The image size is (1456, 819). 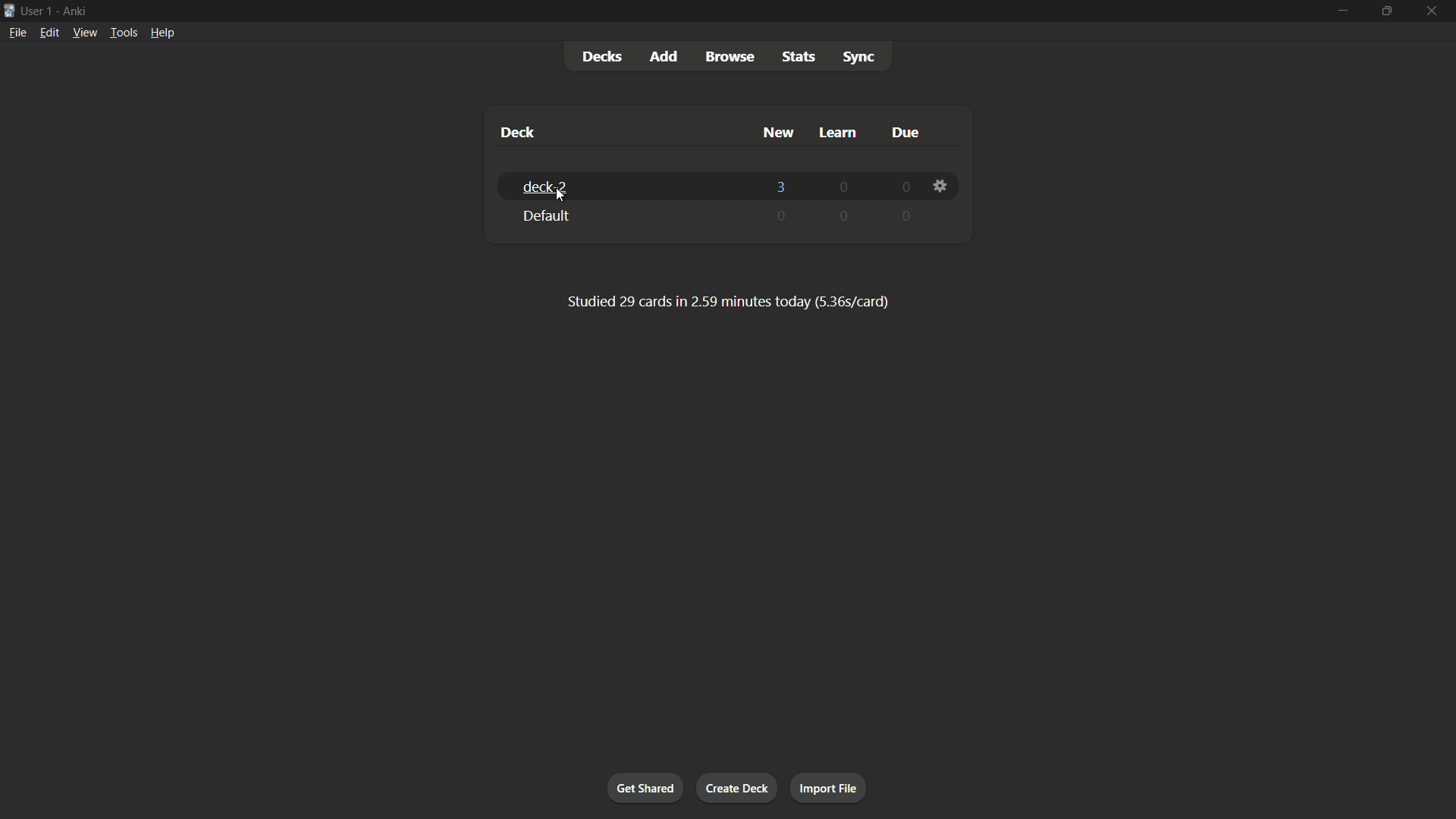 I want to click on tools menu, so click(x=124, y=33).